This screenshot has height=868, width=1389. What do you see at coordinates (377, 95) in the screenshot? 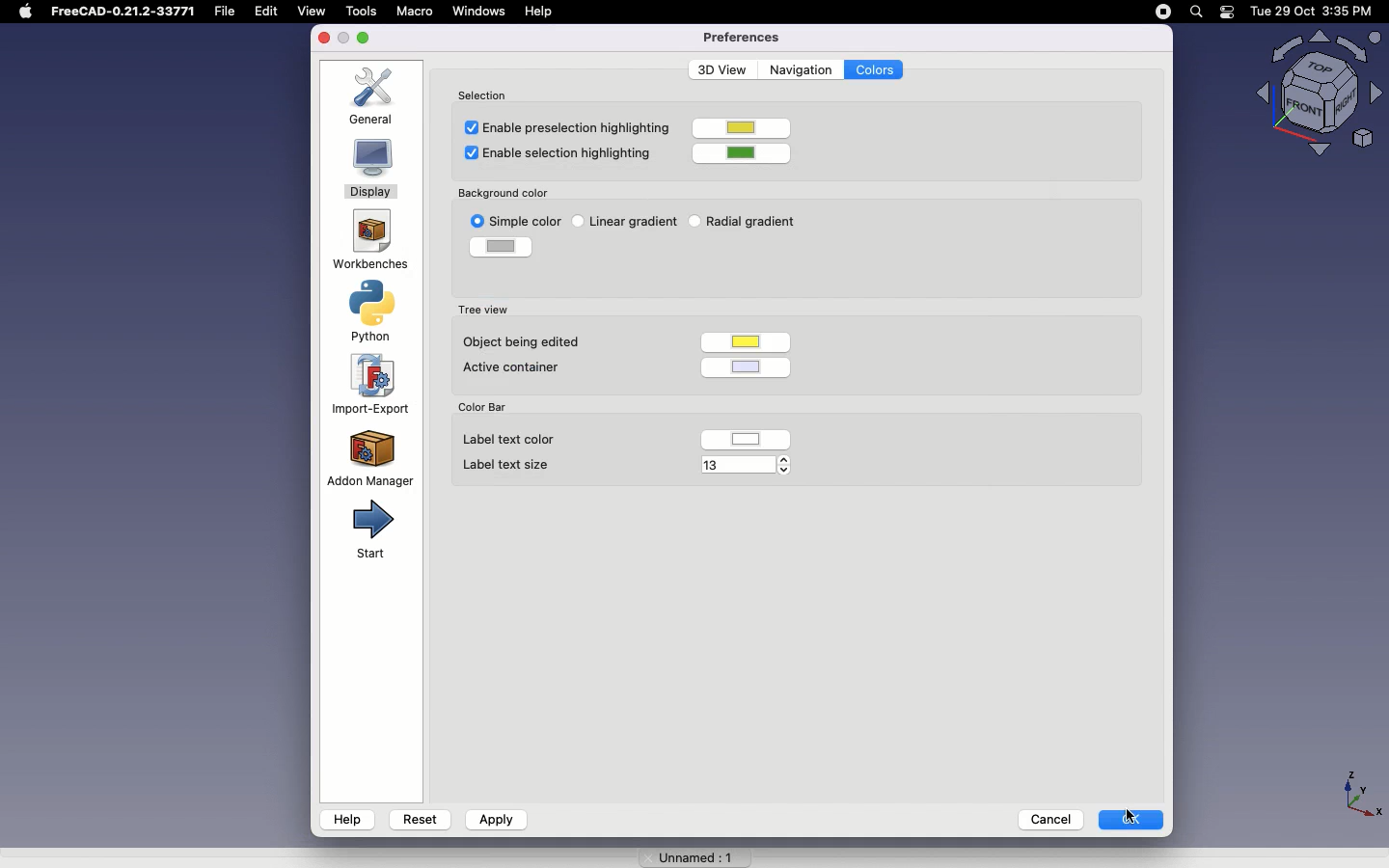
I see `General` at bounding box center [377, 95].